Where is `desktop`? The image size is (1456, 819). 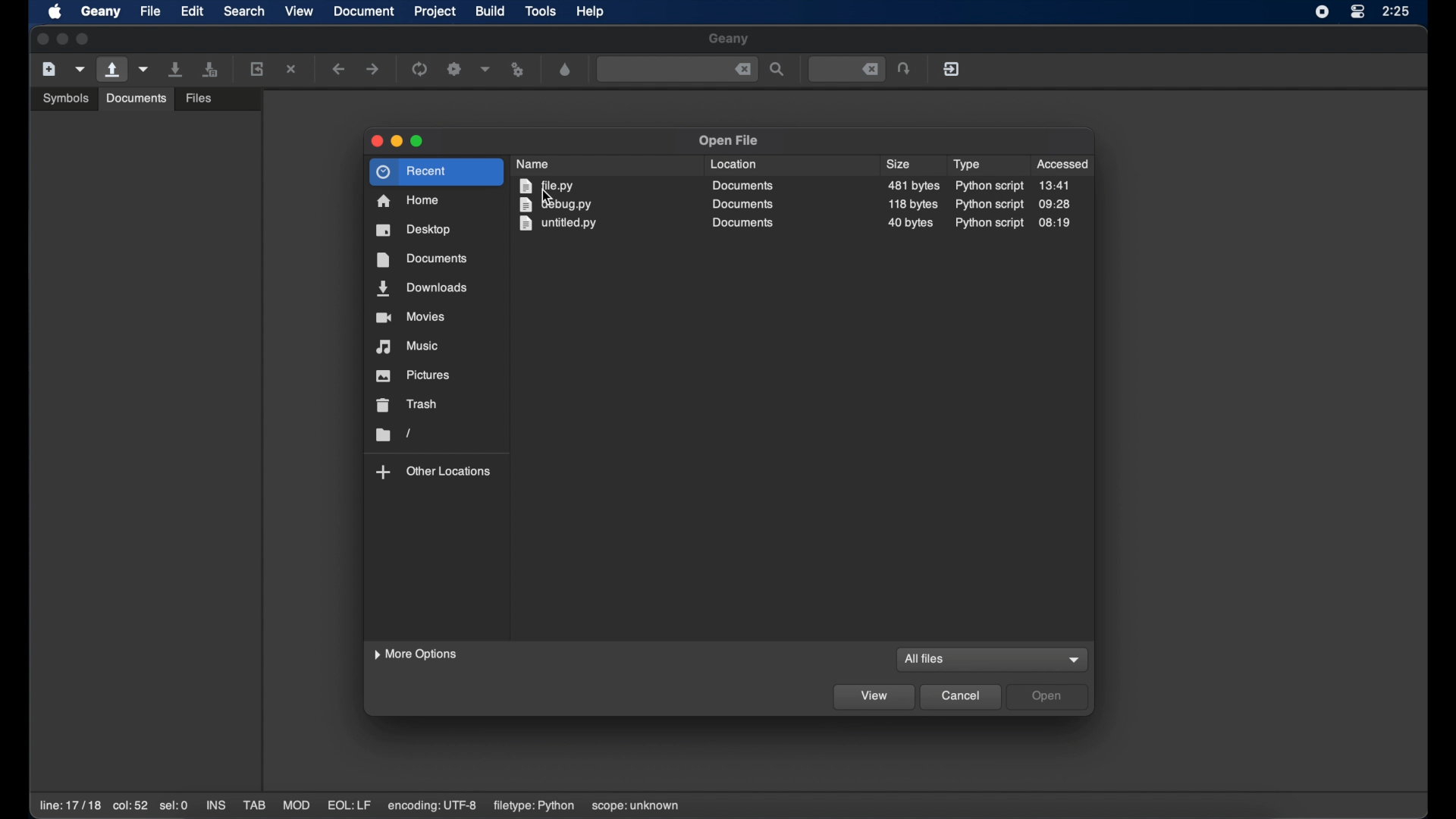 desktop is located at coordinates (415, 230).